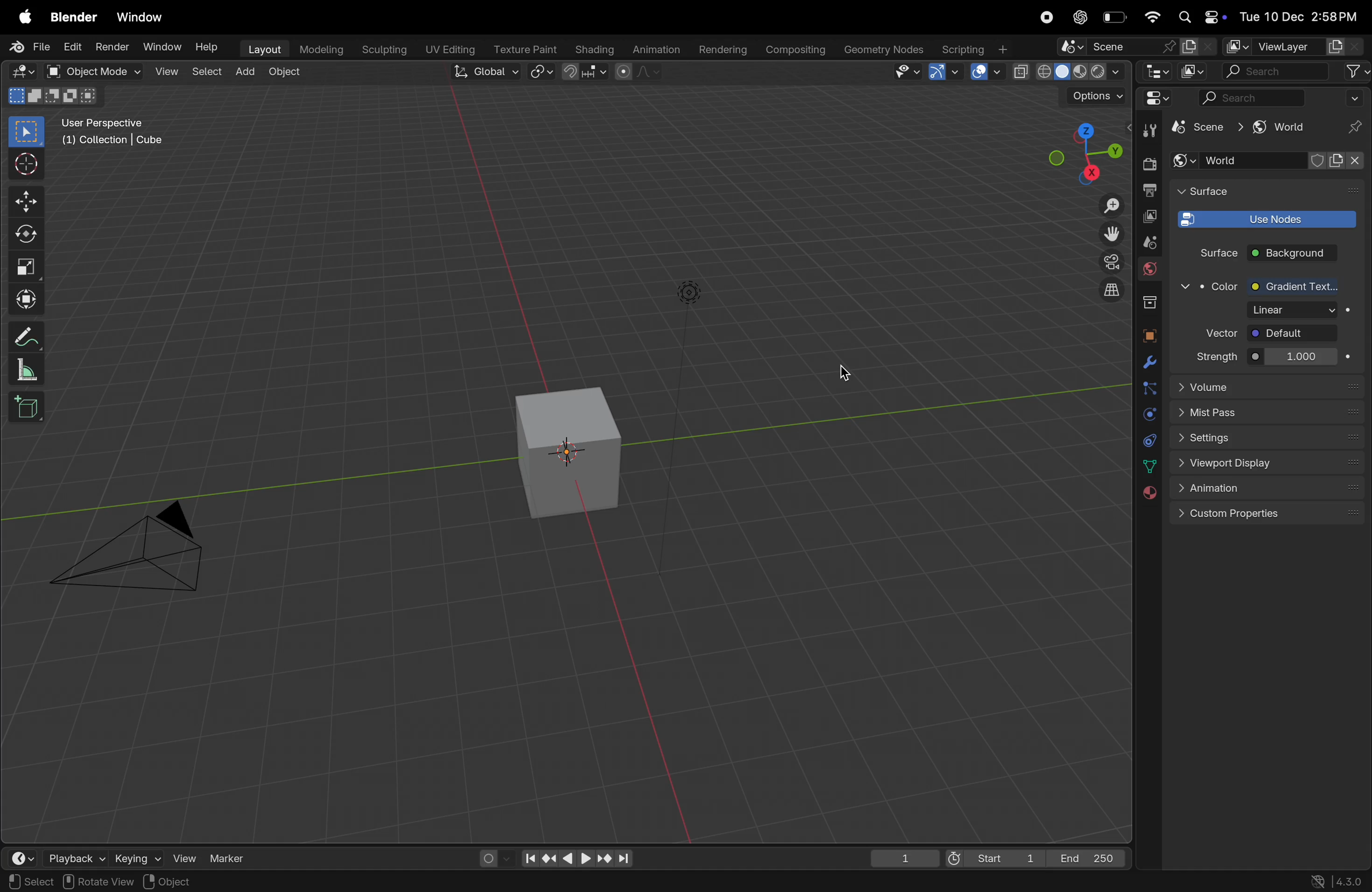  What do you see at coordinates (1313, 356) in the screenshot?
I see `1.000` at bounding box center [1313, 356].